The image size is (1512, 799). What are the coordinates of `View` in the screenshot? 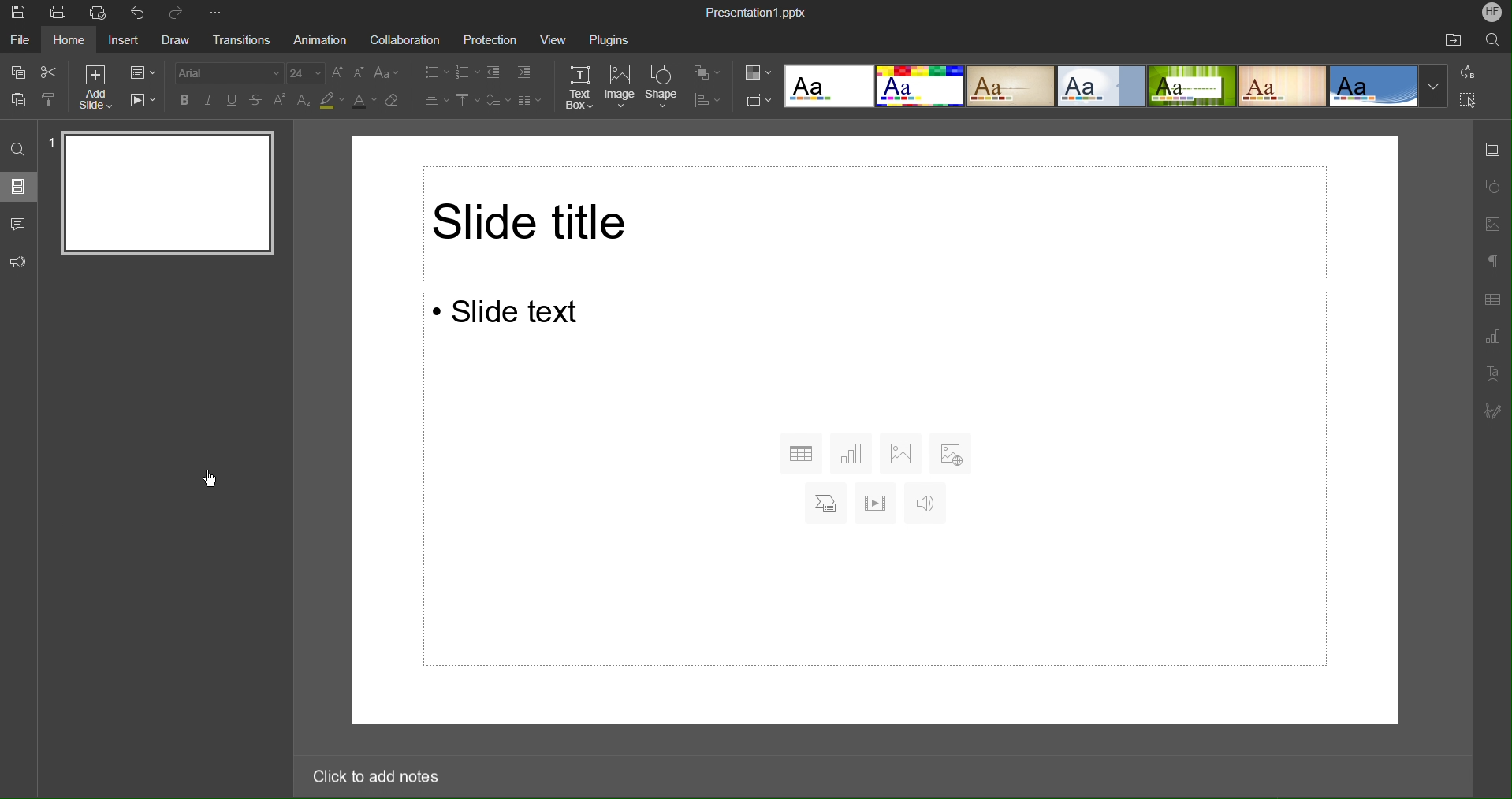 It's located at (553, 39).